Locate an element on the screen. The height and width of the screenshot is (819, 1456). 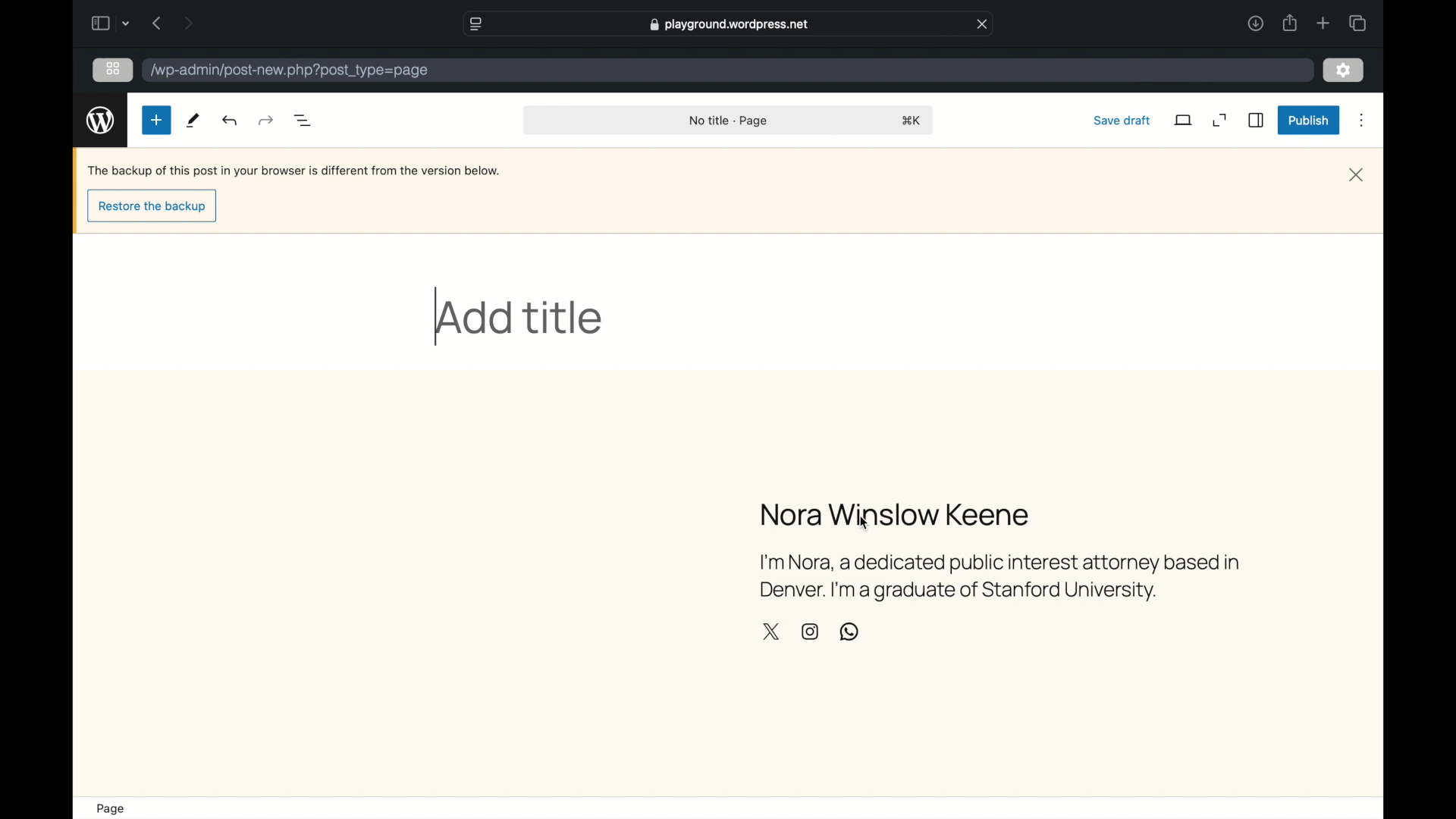
web address is located at coordinates (730, 24).